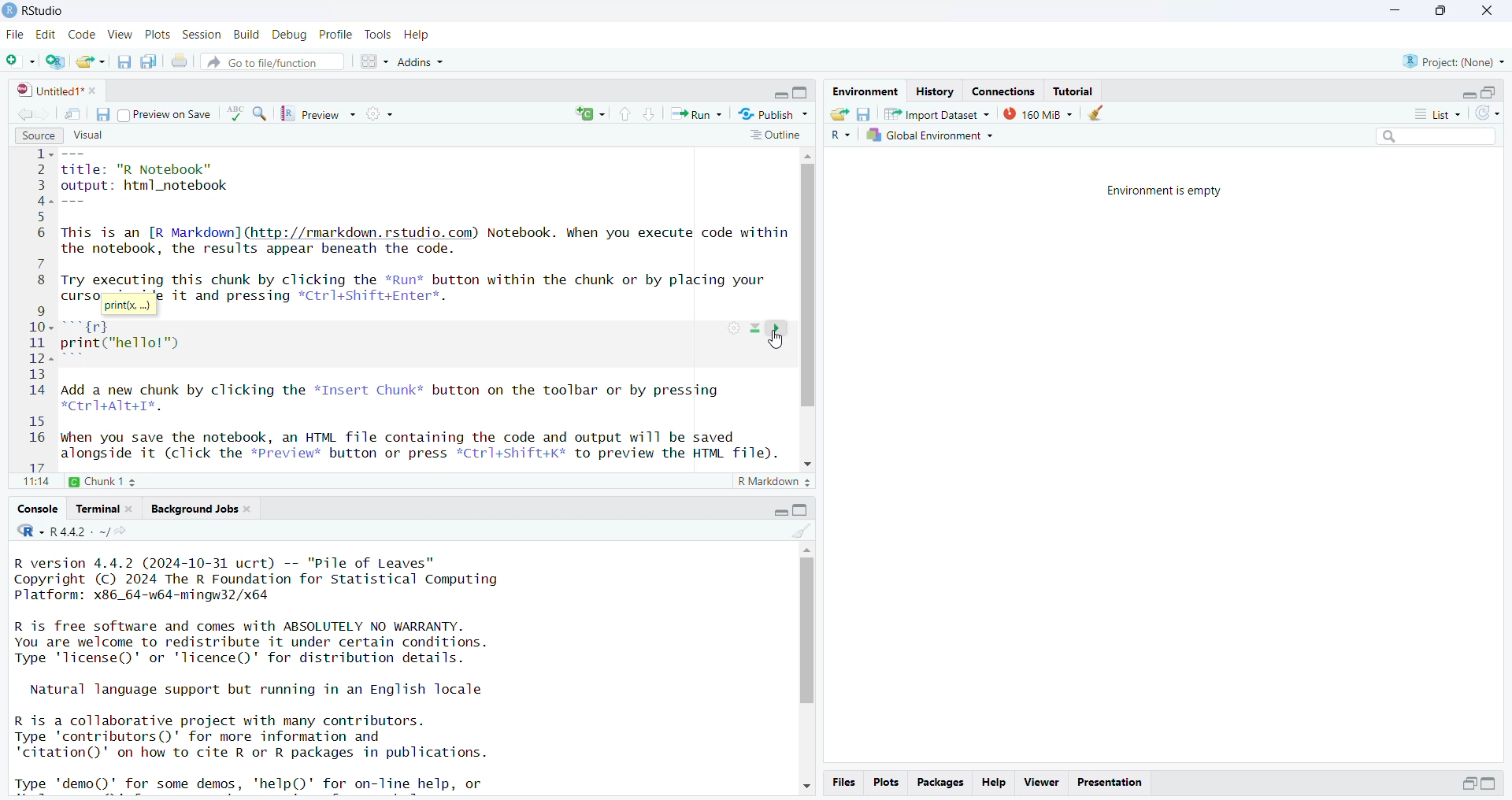 The image size is (1512, 800). I want to click on session, so click(202, 35).